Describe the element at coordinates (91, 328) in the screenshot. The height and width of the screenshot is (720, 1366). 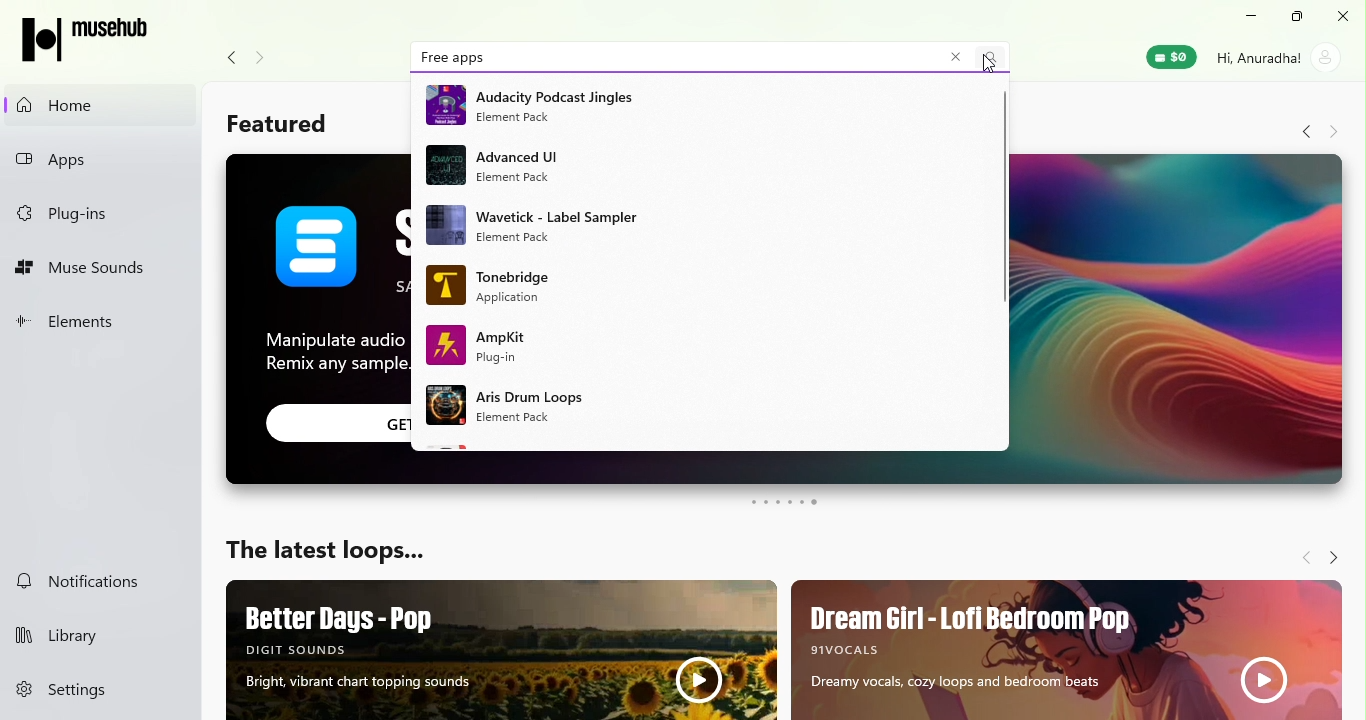
I see `Elements` at that location.